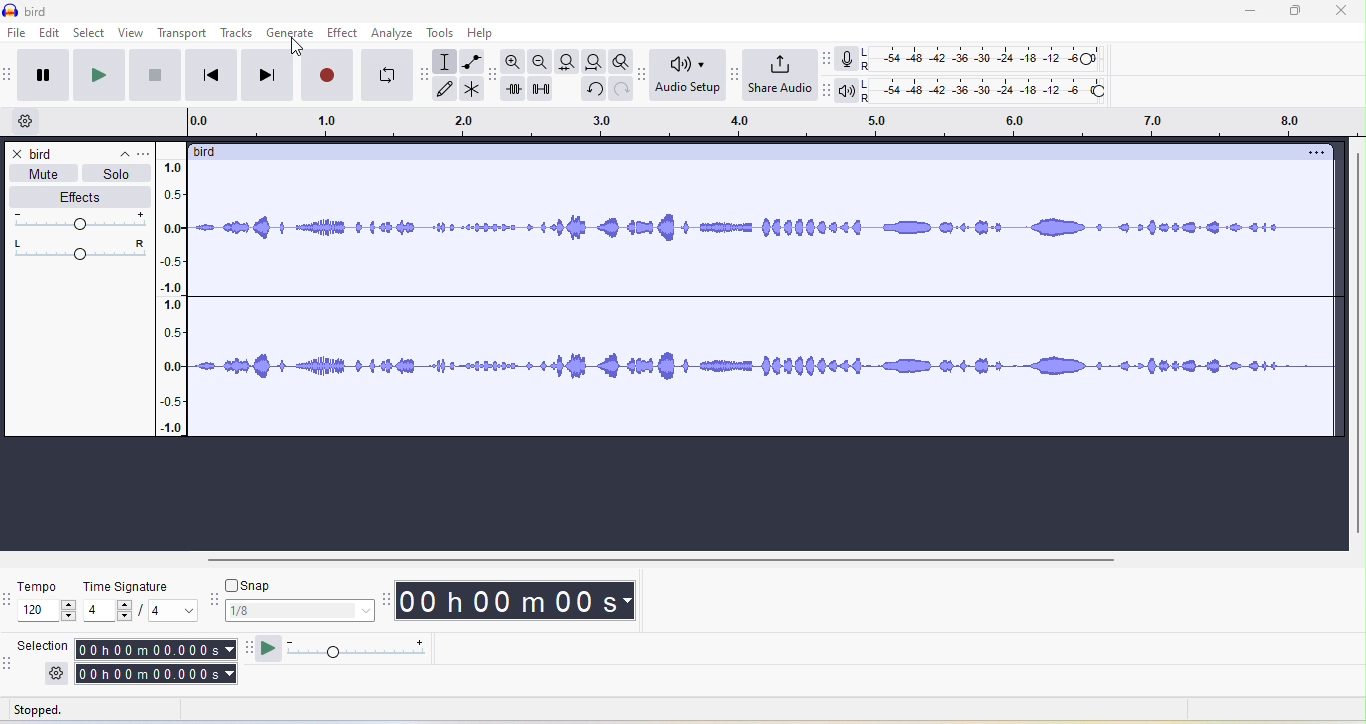  I want to click on audacity time signature toolbar, so click(9, 600).